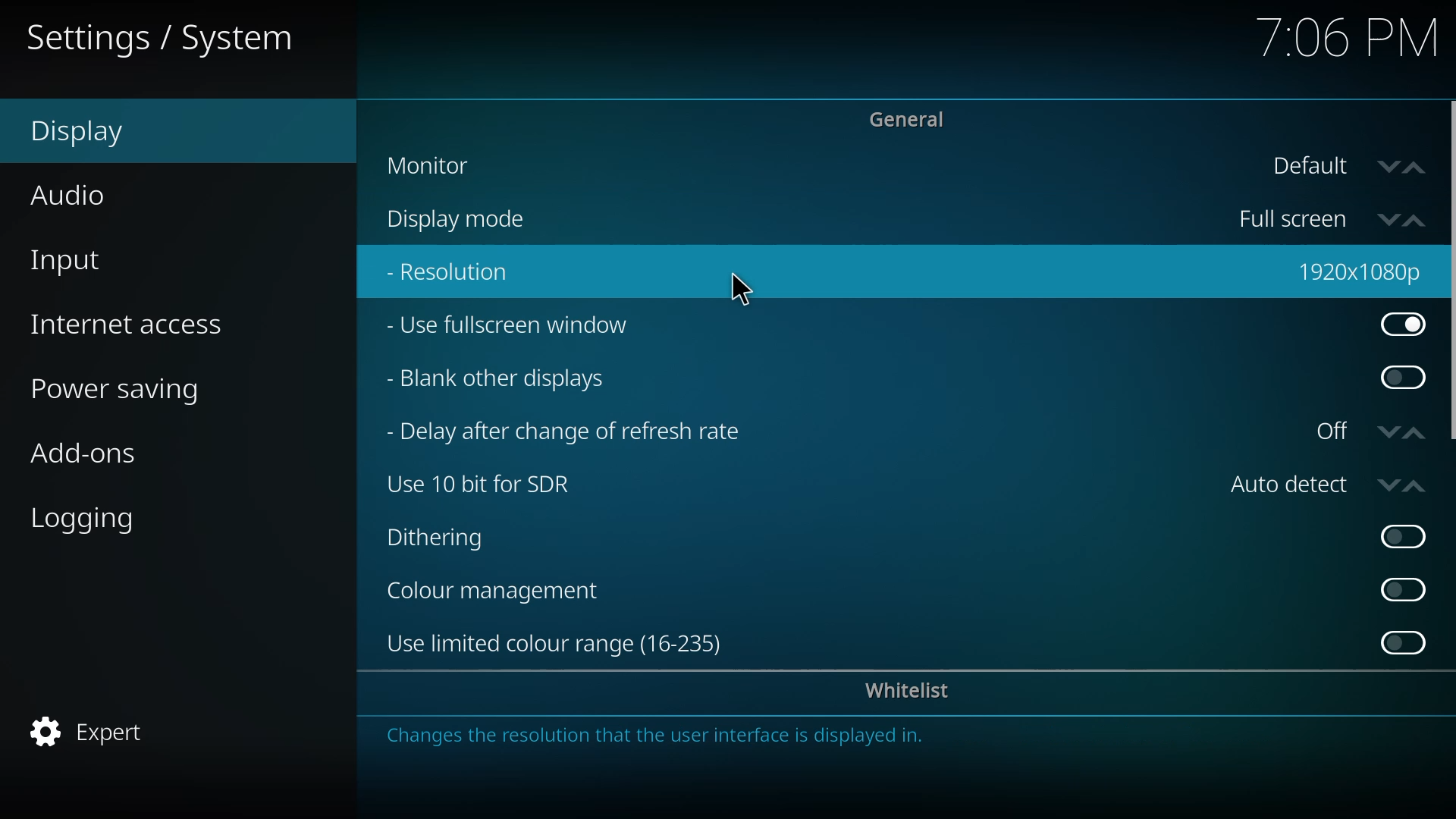  What do you see at coordinates (130, 325) in the screenshot?
I see `internet access` at bounding box center [130, 325].